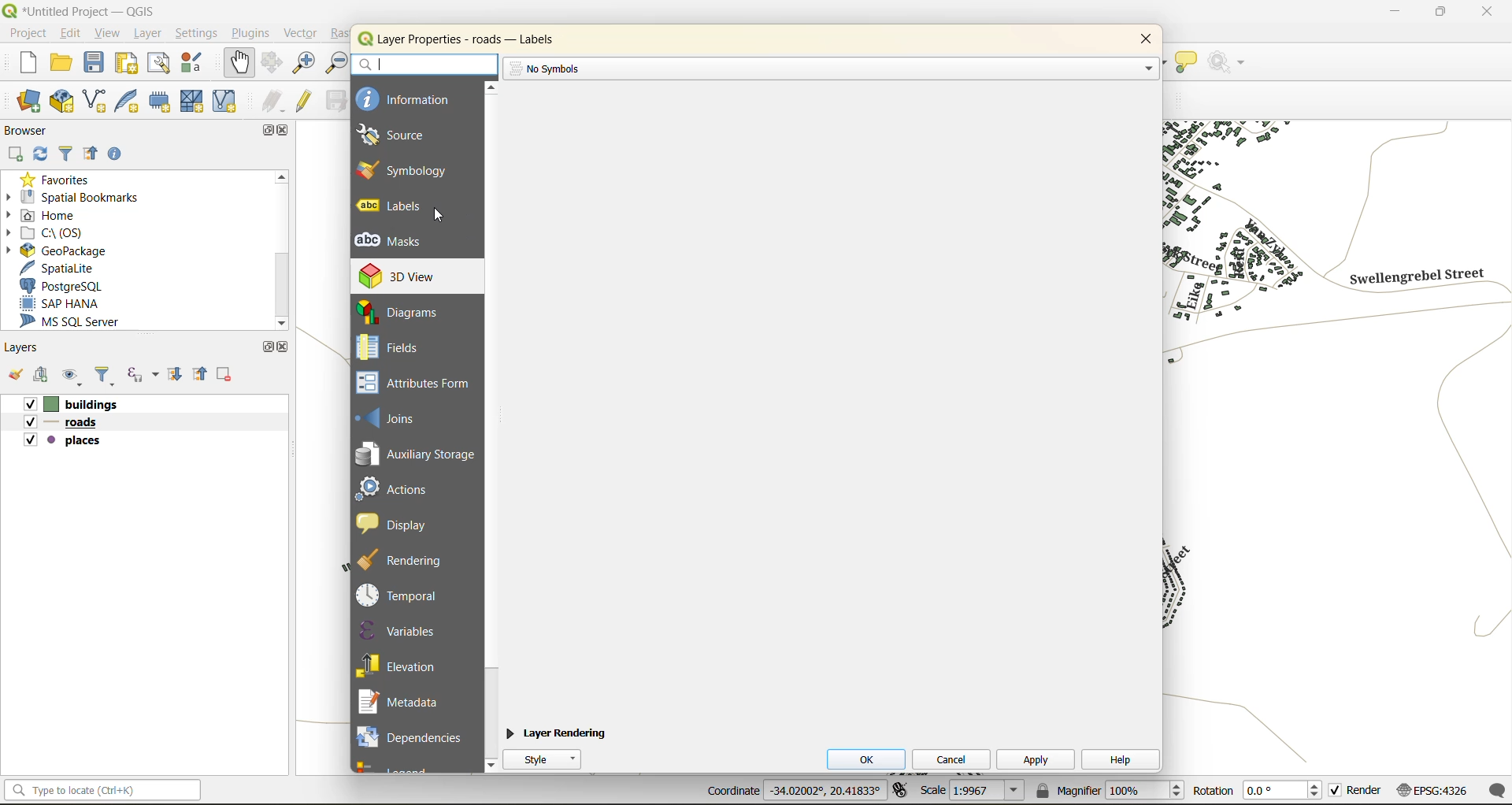  What do you see at coordinates (417, 457) in the screenshot?
I see `auxillary storage` at bounding box center [417, 457].